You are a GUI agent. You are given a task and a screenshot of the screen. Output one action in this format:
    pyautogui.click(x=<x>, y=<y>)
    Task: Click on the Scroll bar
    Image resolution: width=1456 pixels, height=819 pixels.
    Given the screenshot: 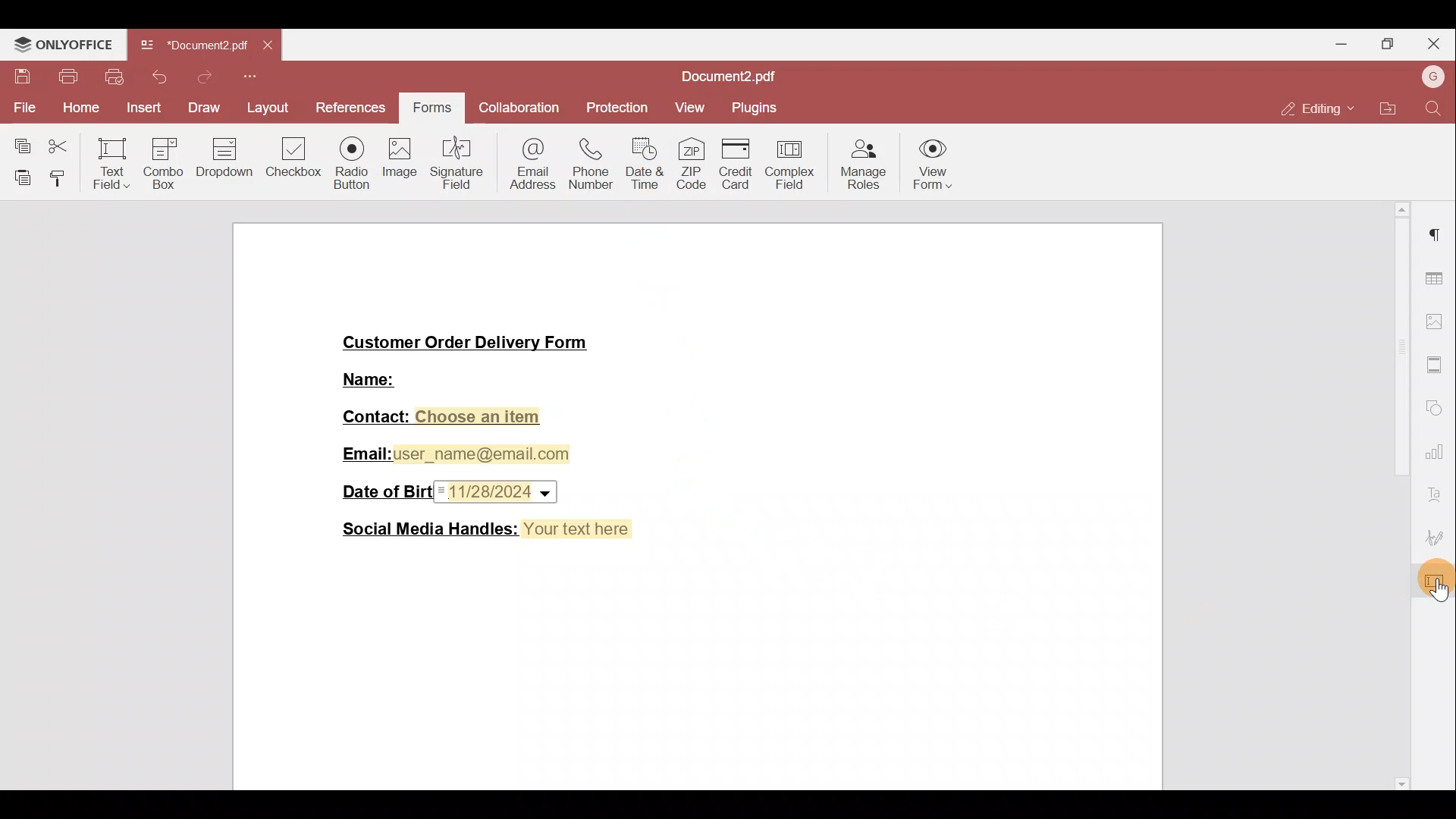 What is the action you would take?
    pyautogui.click(x=1400, y=497)
    